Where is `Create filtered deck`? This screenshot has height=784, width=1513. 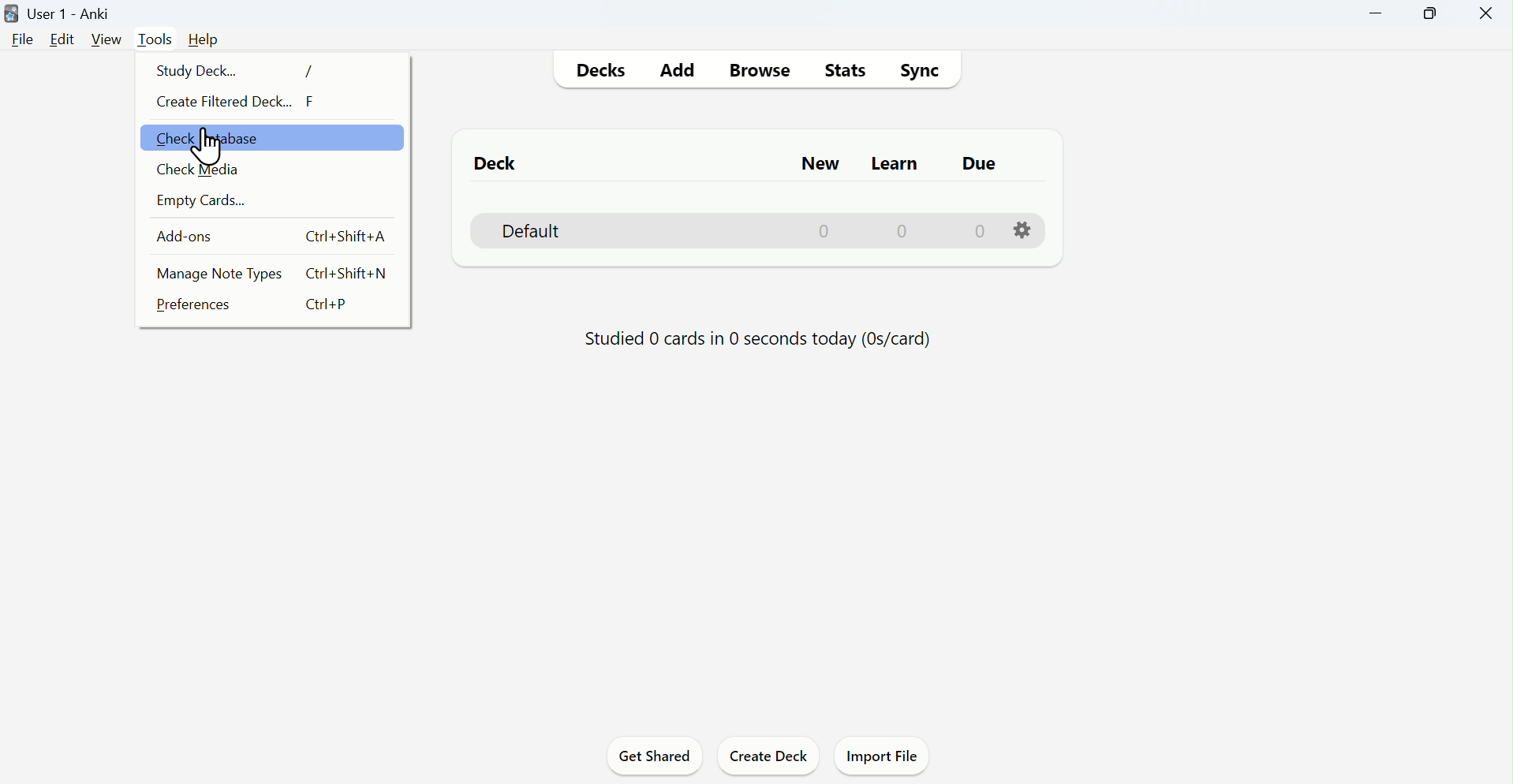
Create filtered deck is located at coordinates (255, 103).